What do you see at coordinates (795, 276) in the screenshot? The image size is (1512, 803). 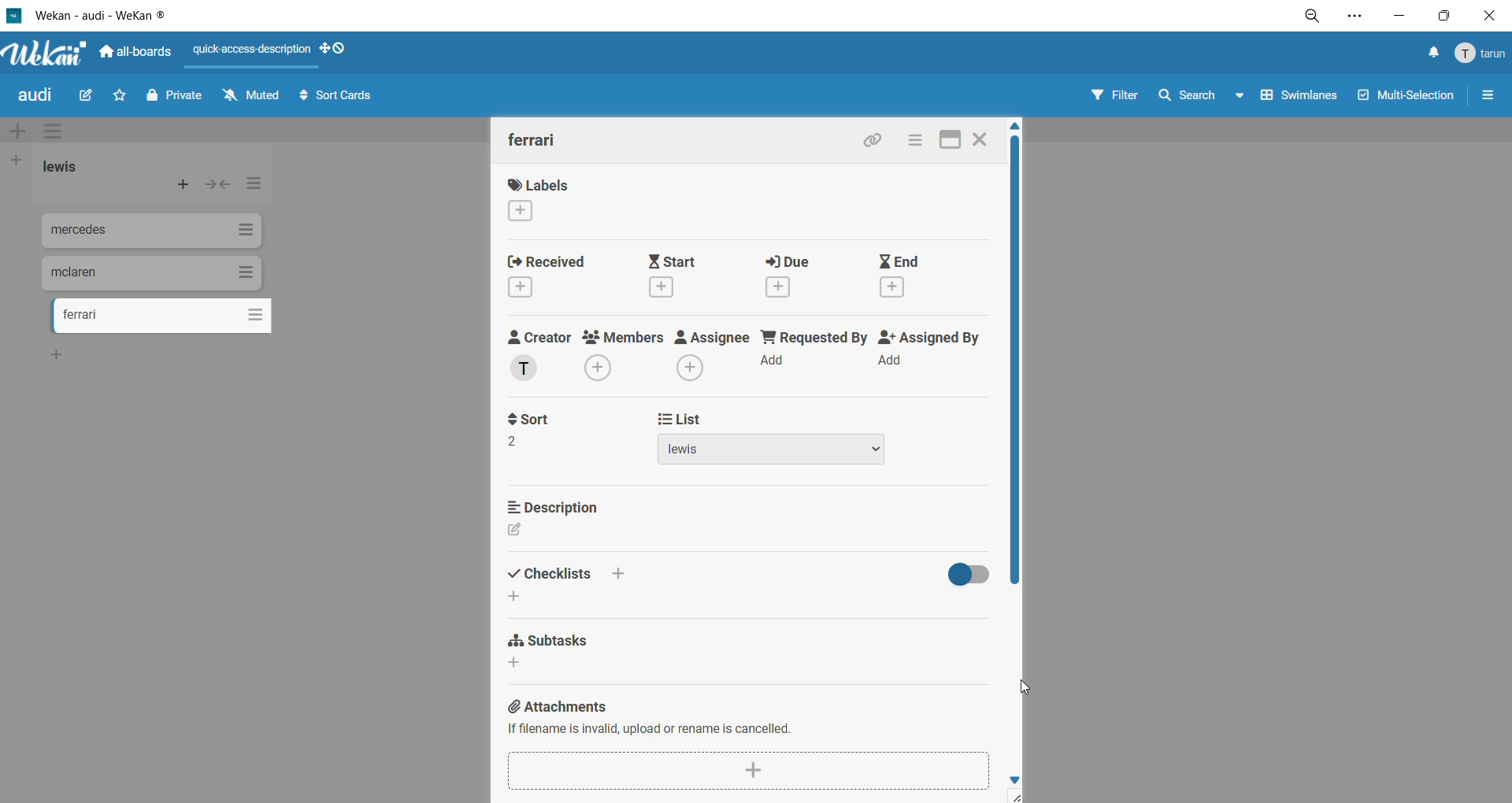 I see `due` at bounding box center [795, 276].